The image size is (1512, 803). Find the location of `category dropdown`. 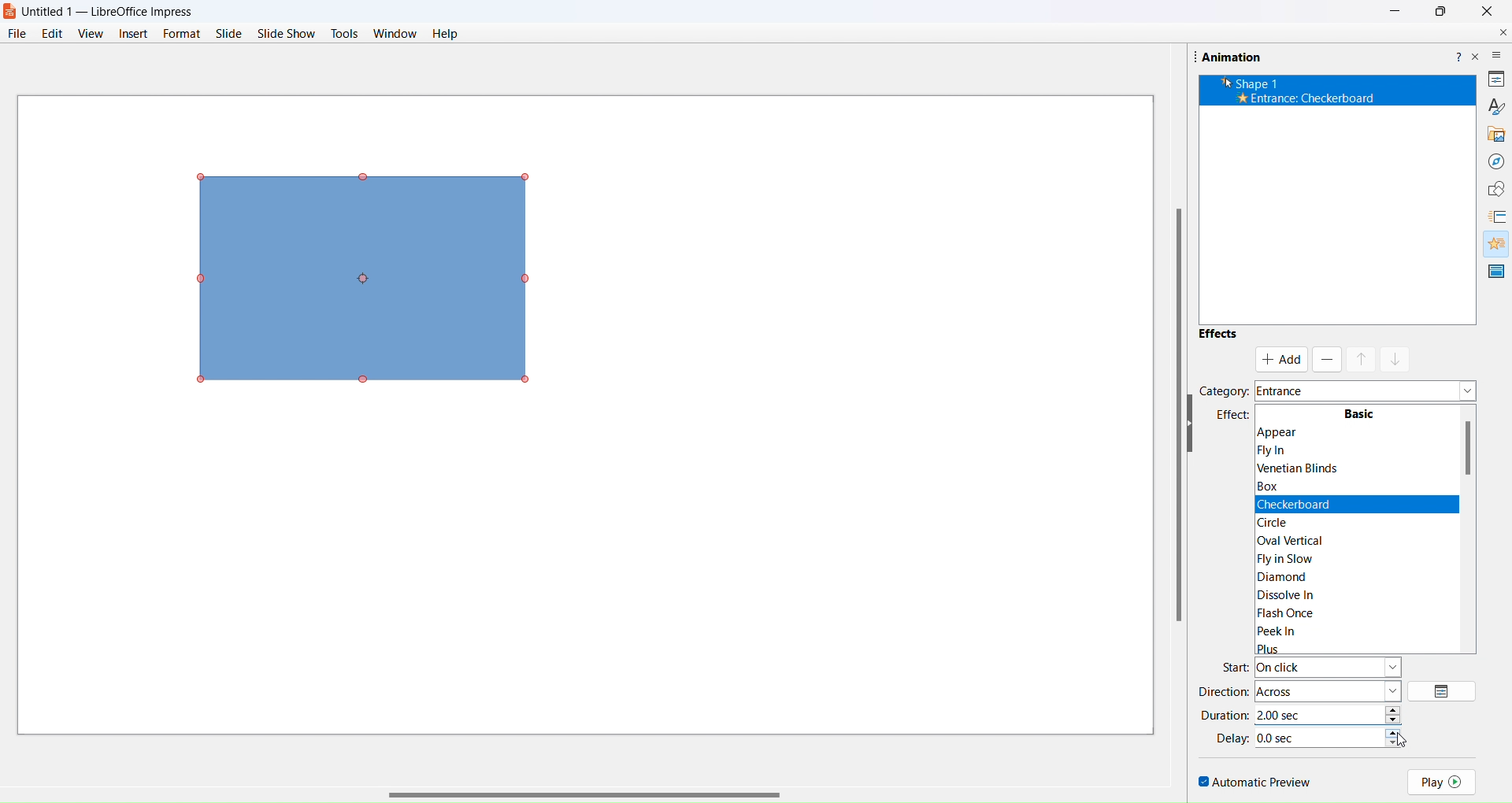

category dropdown is located at coordinates (1367, 392).